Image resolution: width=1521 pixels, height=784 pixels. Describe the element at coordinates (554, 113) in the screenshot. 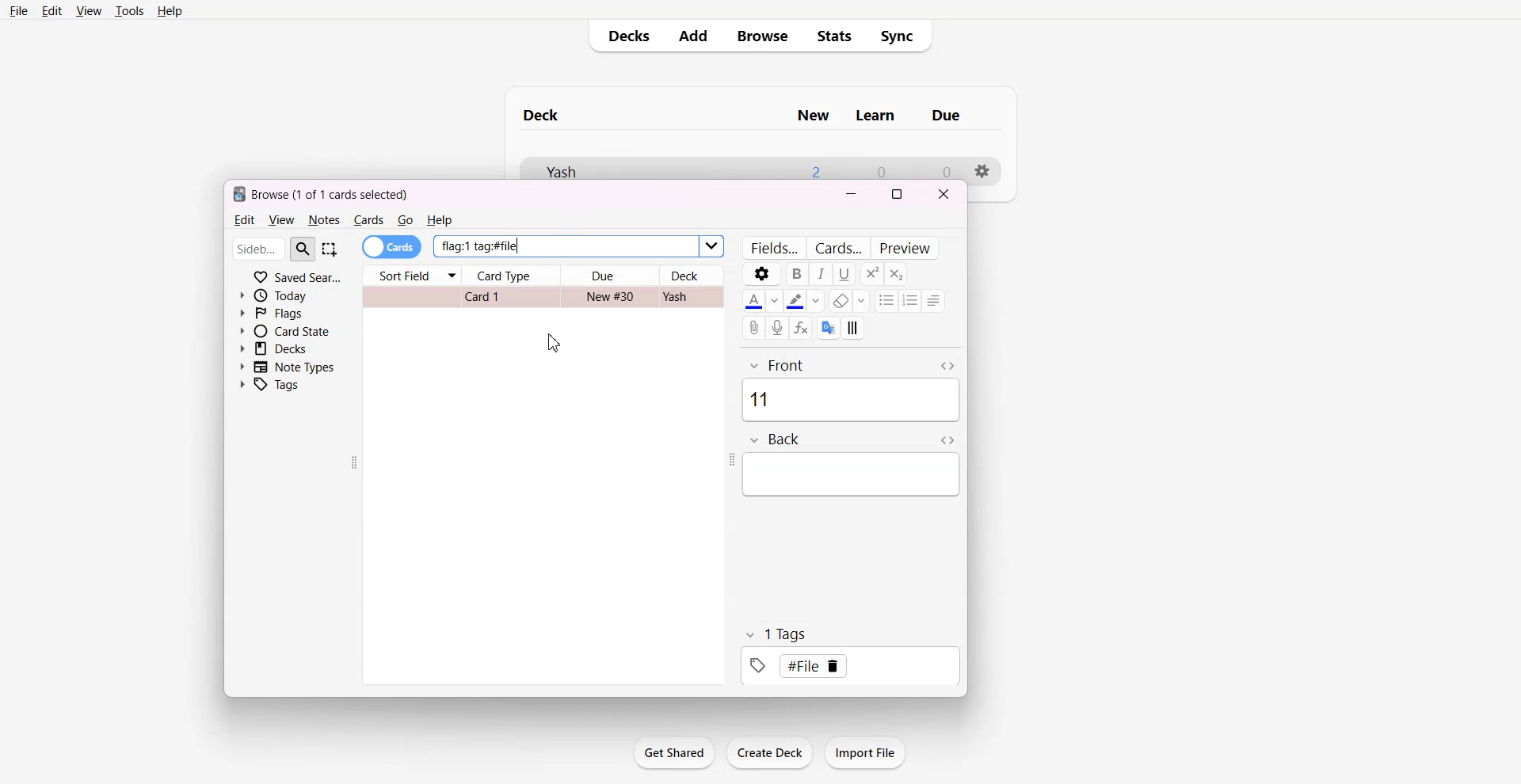

I see `deck` at that location.